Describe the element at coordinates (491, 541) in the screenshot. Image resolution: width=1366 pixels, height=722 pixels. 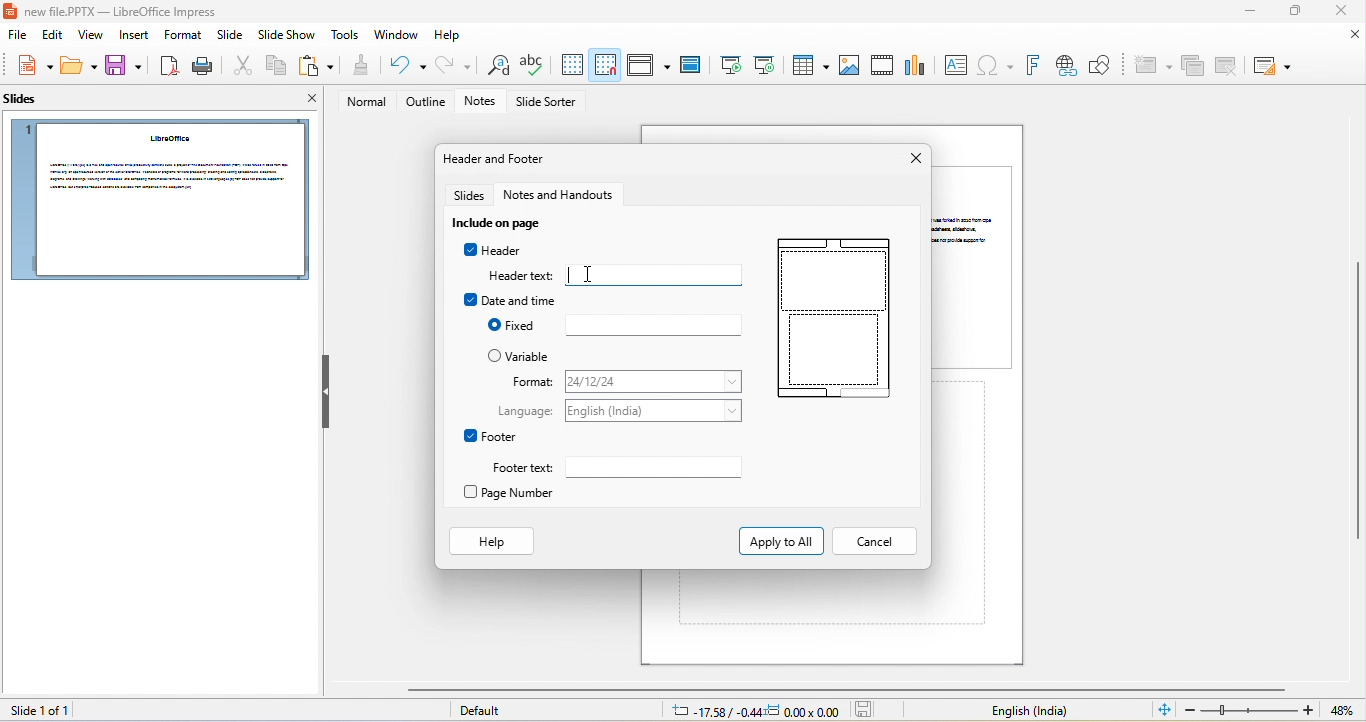
I see `Help` at that location.